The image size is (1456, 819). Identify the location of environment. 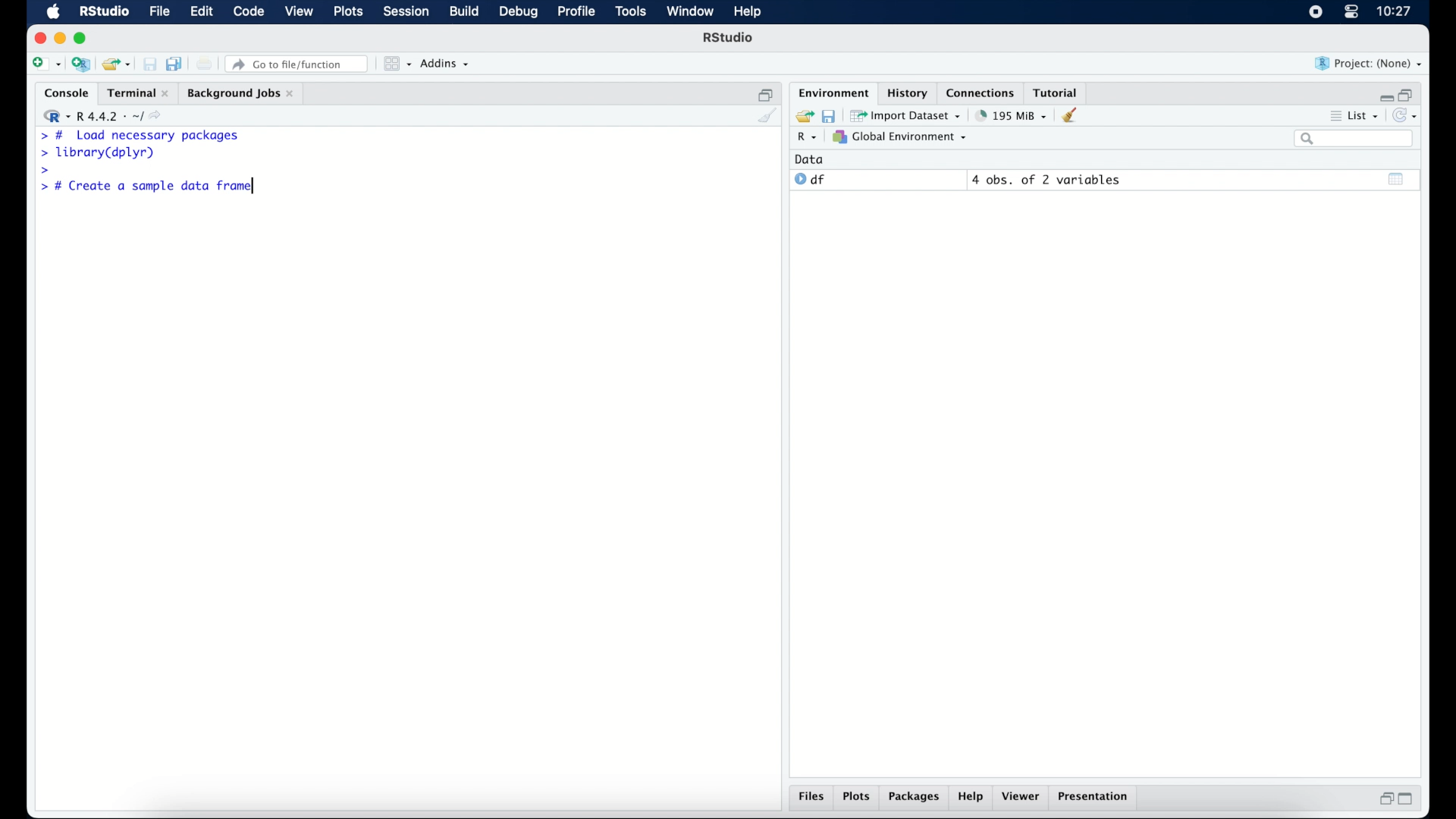
(831, 92).